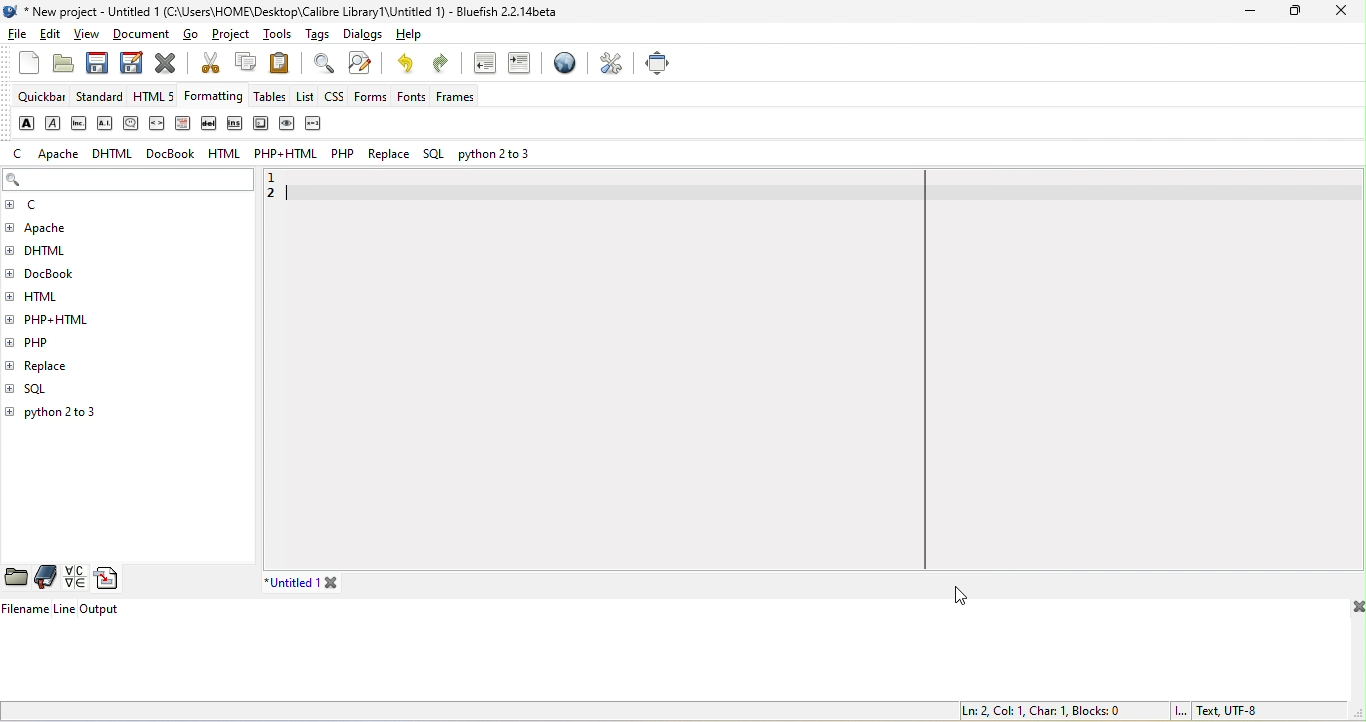  Describe the element at coordinates (522, 65) in the screenshot. I see `indent` at that location.